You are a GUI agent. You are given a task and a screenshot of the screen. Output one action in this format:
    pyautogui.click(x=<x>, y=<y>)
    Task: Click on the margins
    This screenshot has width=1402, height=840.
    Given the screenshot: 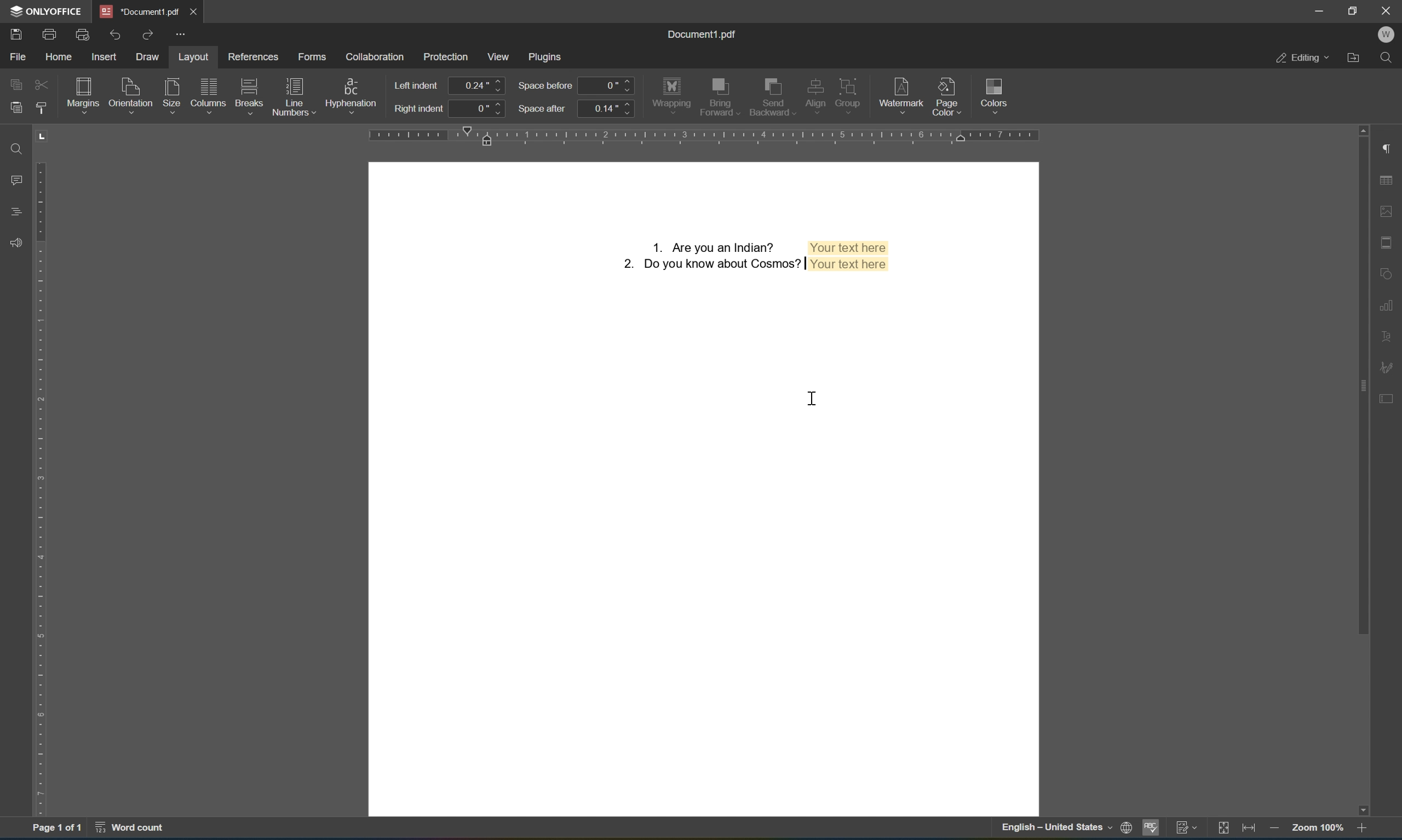 What is the action you would take?
    pyautogui.click(x=85, y=93)
    